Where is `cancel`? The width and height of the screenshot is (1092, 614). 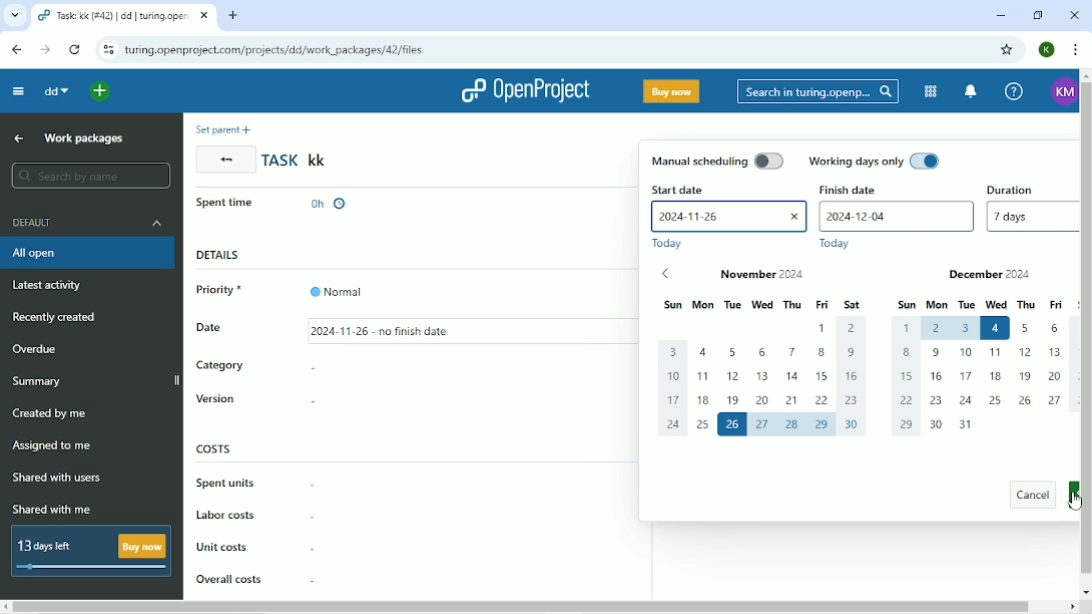 cancel is located at coordinates (1027, 497).